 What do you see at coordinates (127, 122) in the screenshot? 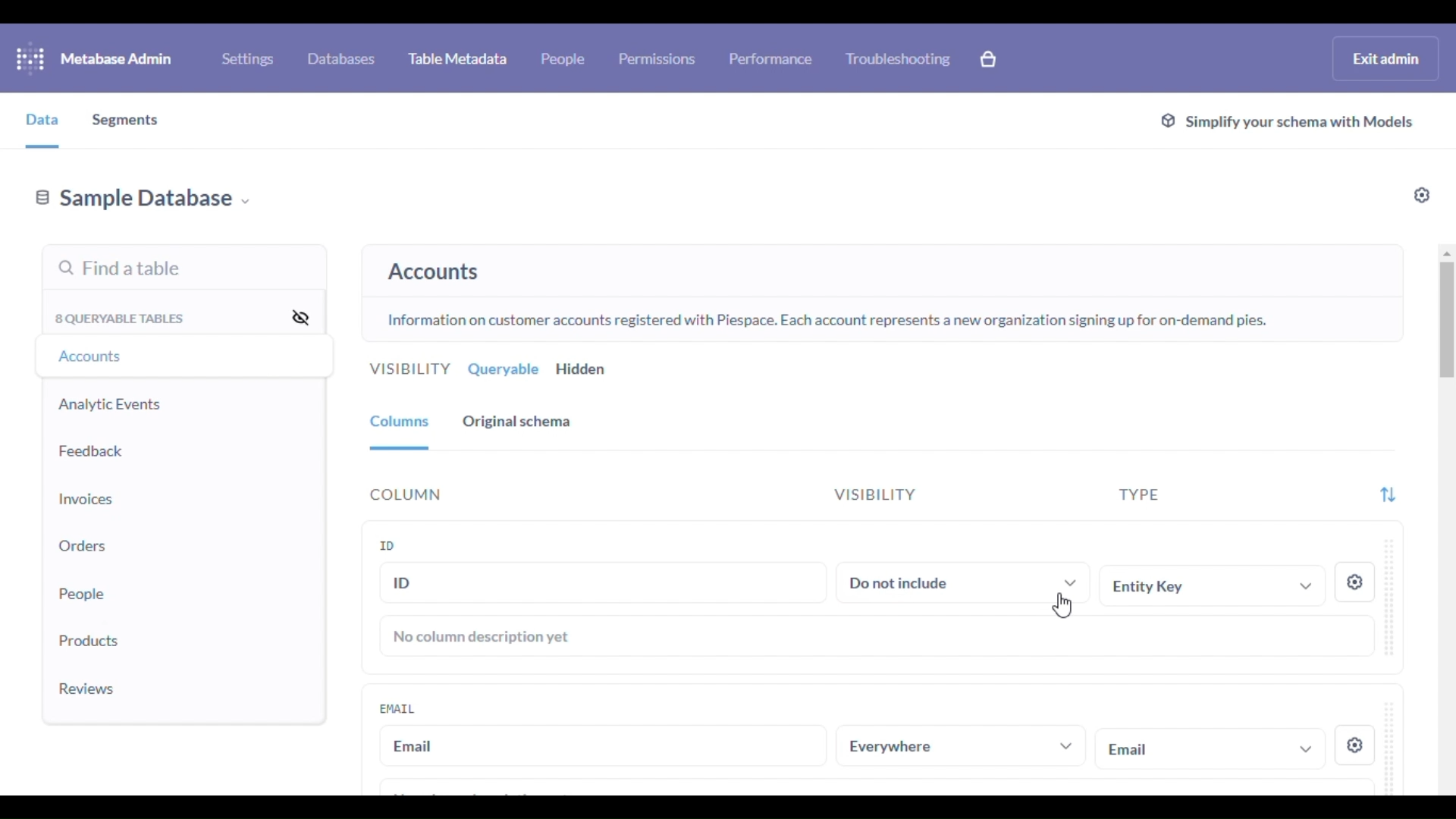
I see `segments` at bounding box center [127, 122].